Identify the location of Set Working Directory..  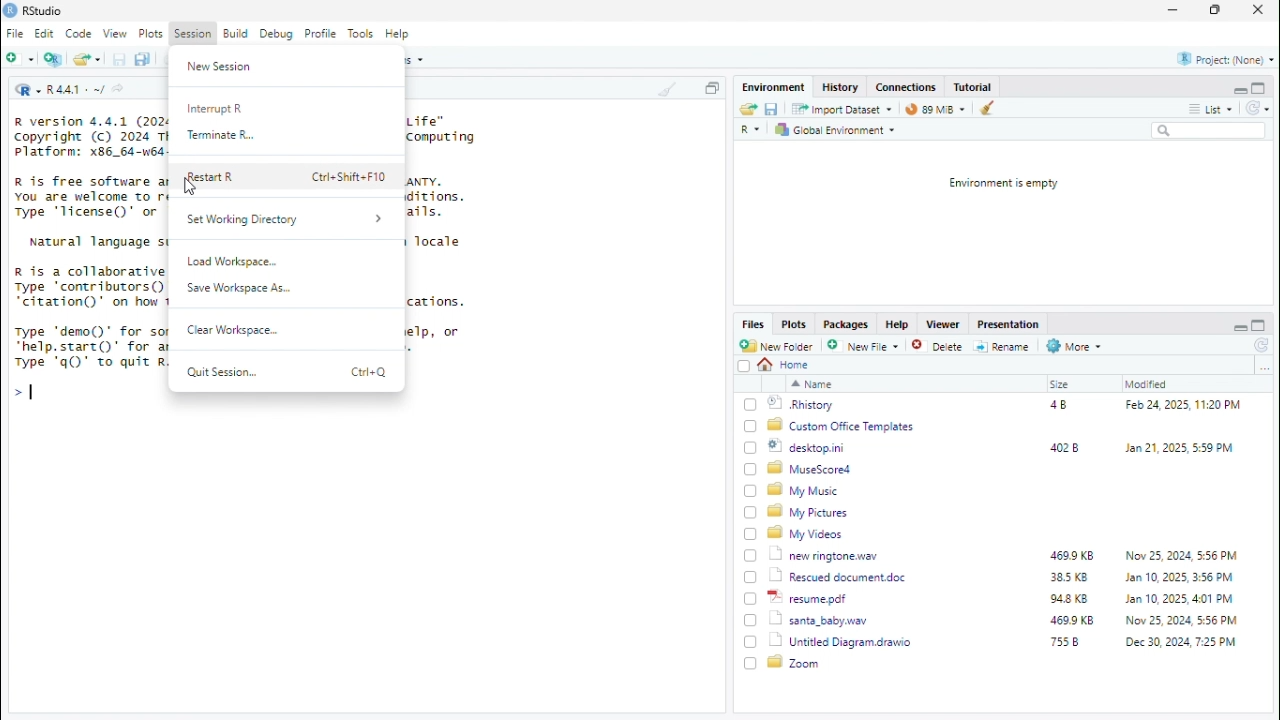
(287, 220).